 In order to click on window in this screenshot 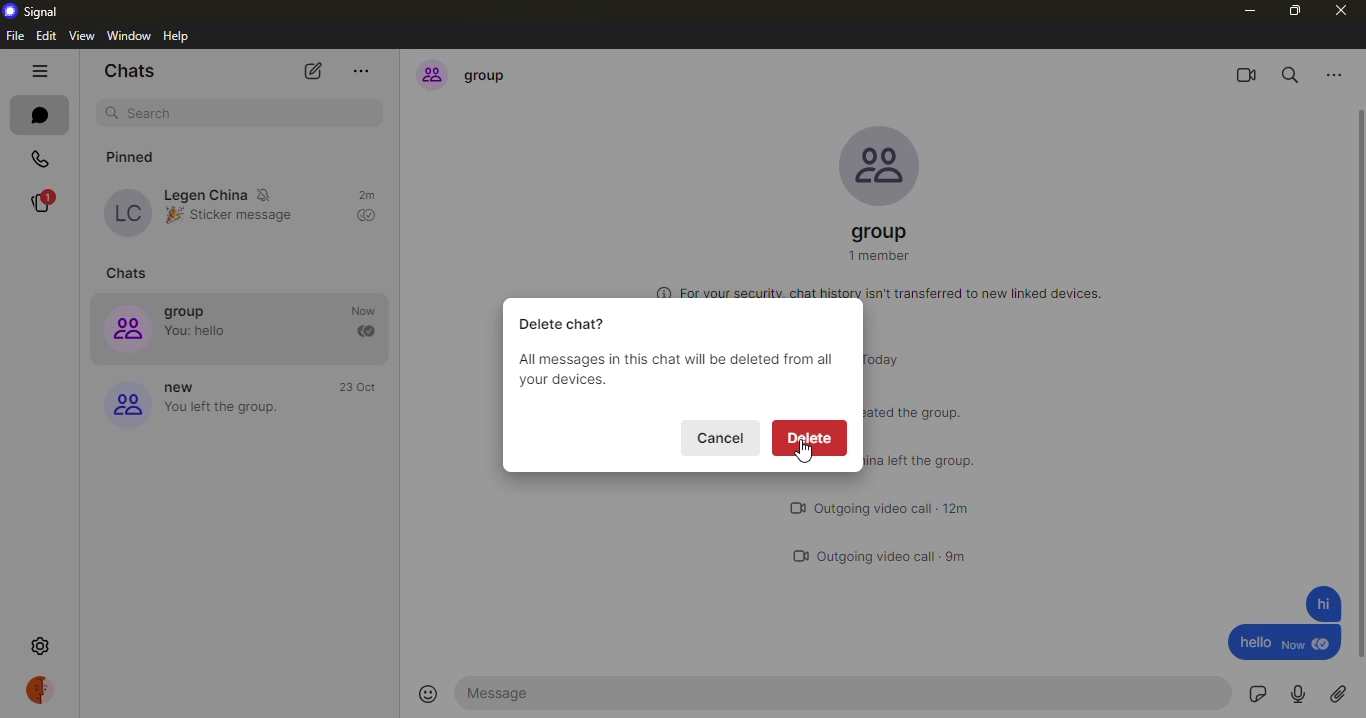, I will do `click(128, 35)`.